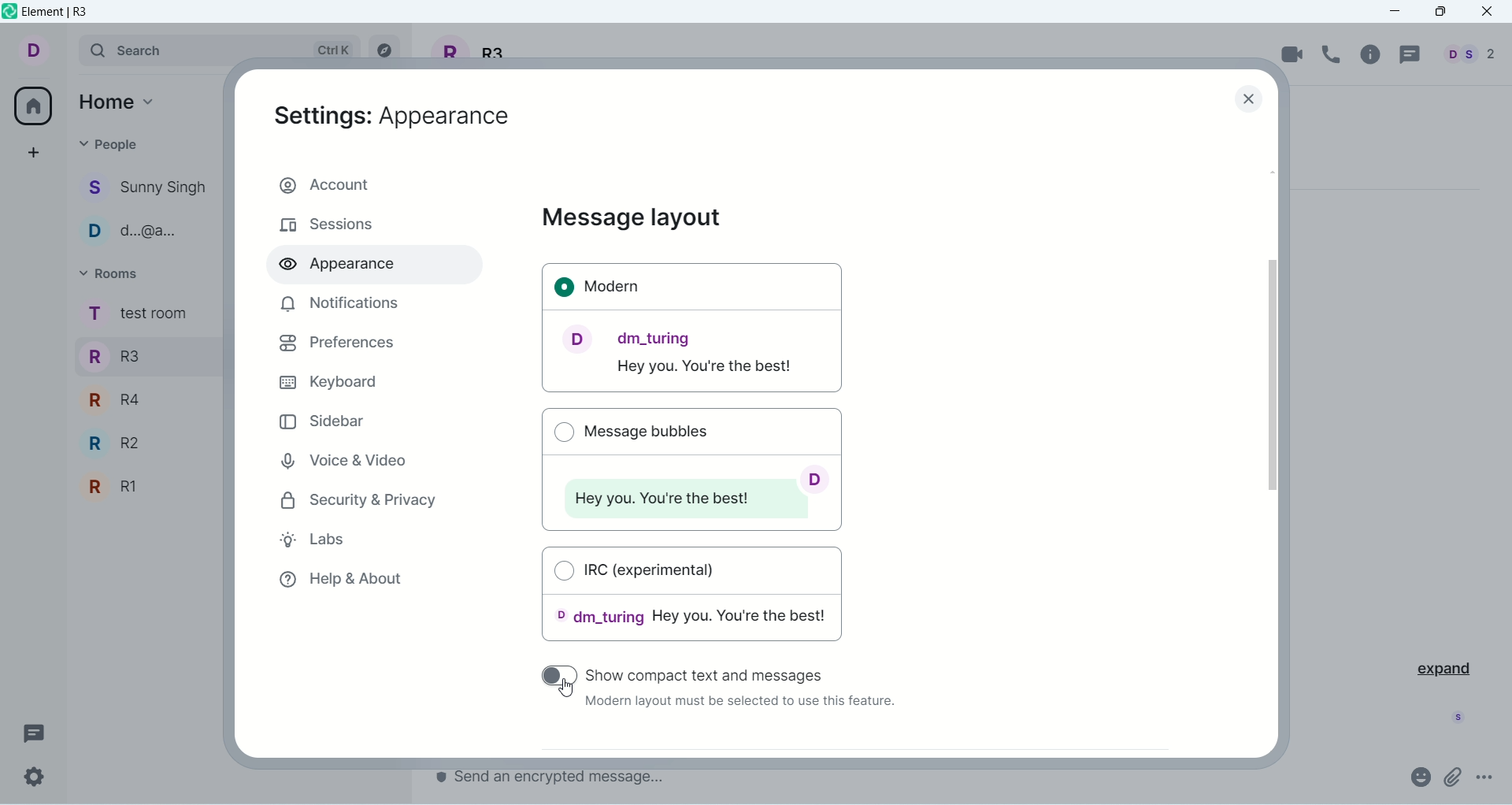  What do you see at coordinates (150, 443) in the screenshot?
I see `R2` at bounding box center [150, 443].